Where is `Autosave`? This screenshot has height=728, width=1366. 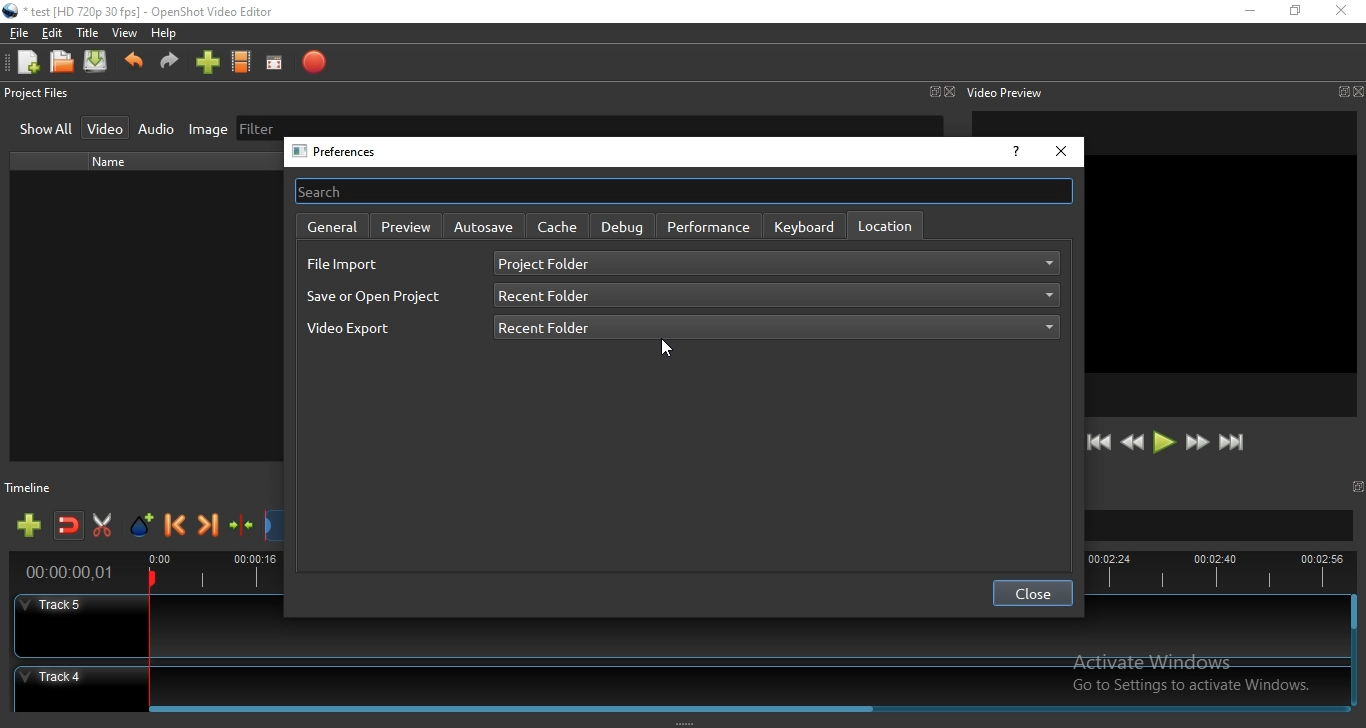 Autosave is located at coordinates (483, 226).